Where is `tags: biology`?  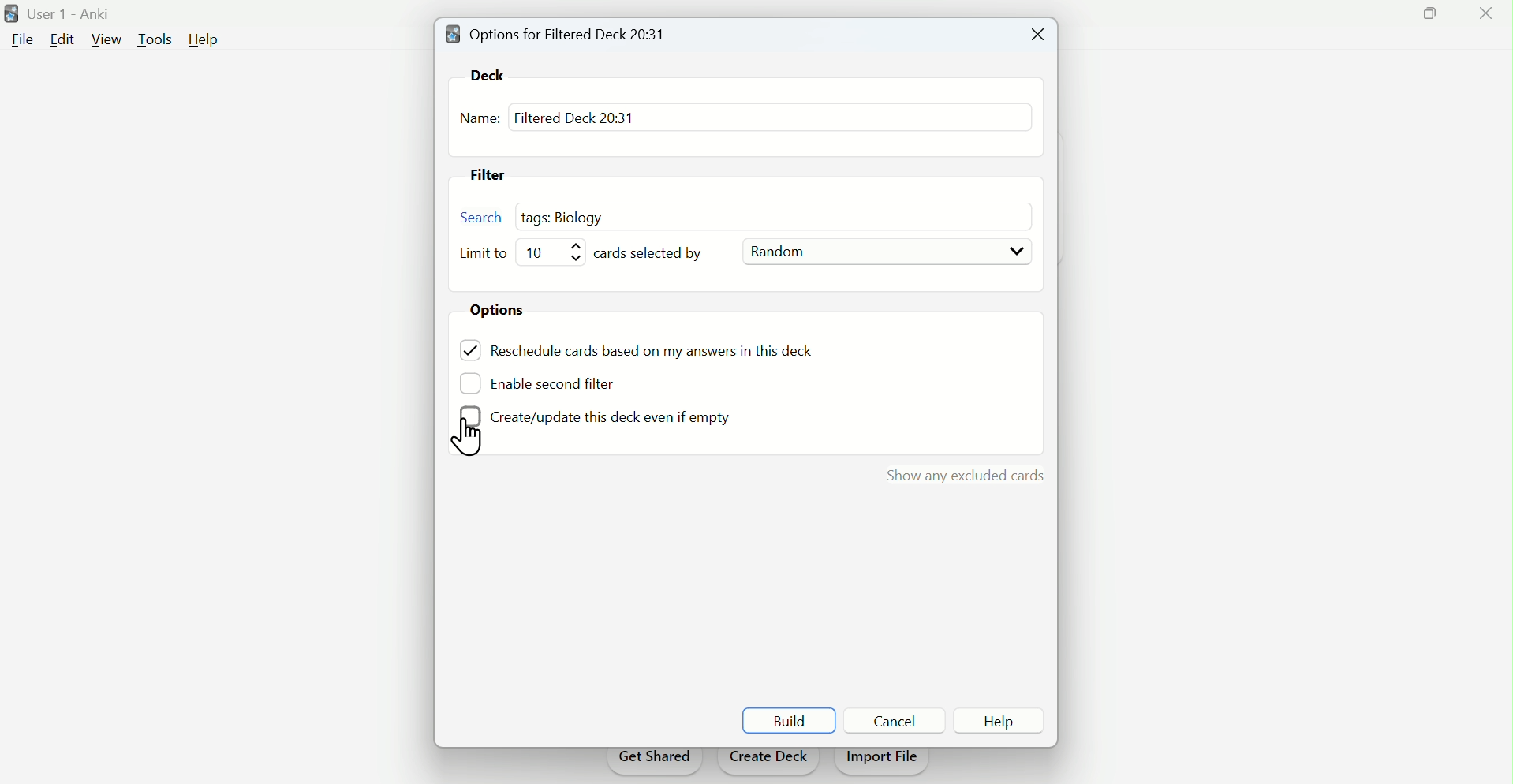 tags: biology is located at coordinates (569, 215).